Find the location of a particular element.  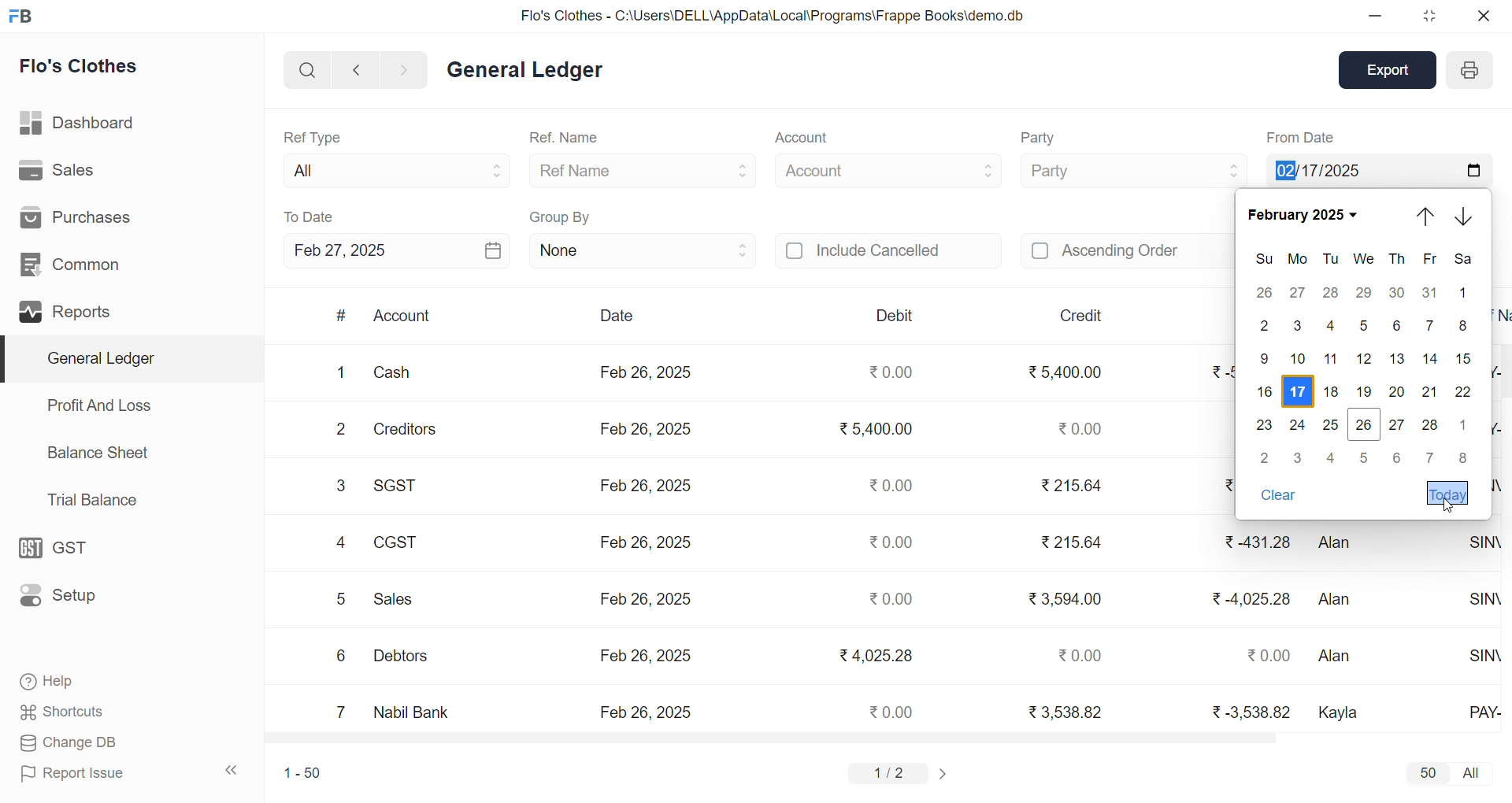

Setup is located at coordinates (62, 596).